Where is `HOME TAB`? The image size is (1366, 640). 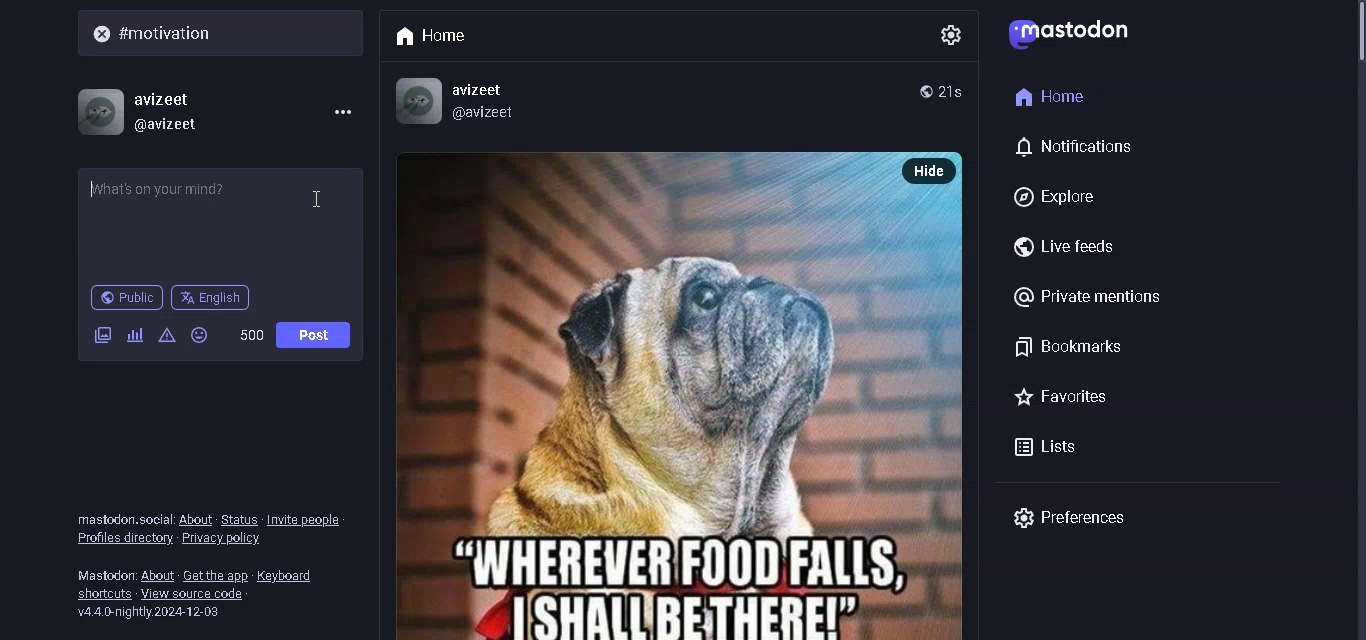 HOME TAB is located at coordinates (439, 33).